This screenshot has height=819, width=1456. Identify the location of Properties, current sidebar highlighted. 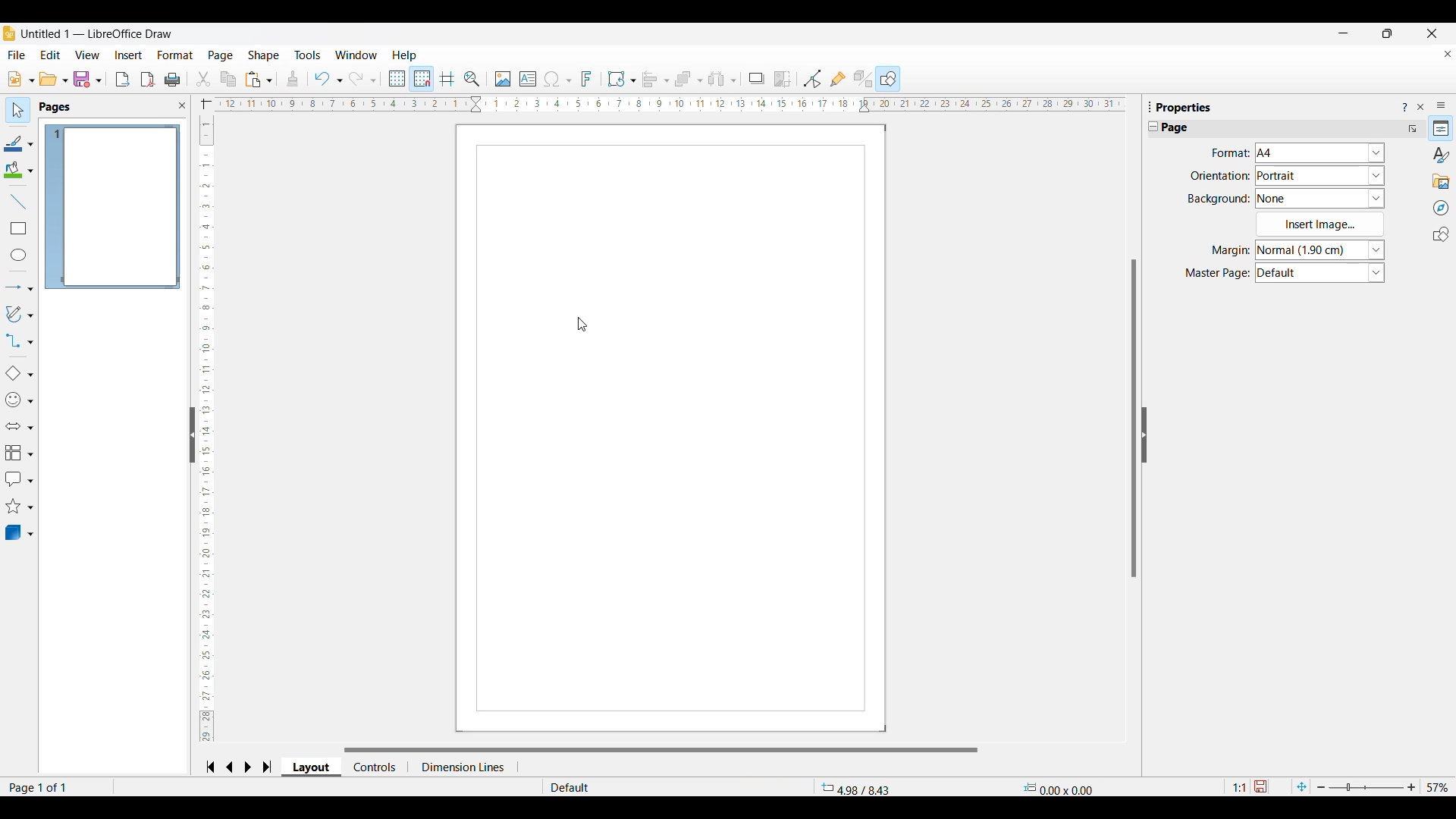
(1440, 128).